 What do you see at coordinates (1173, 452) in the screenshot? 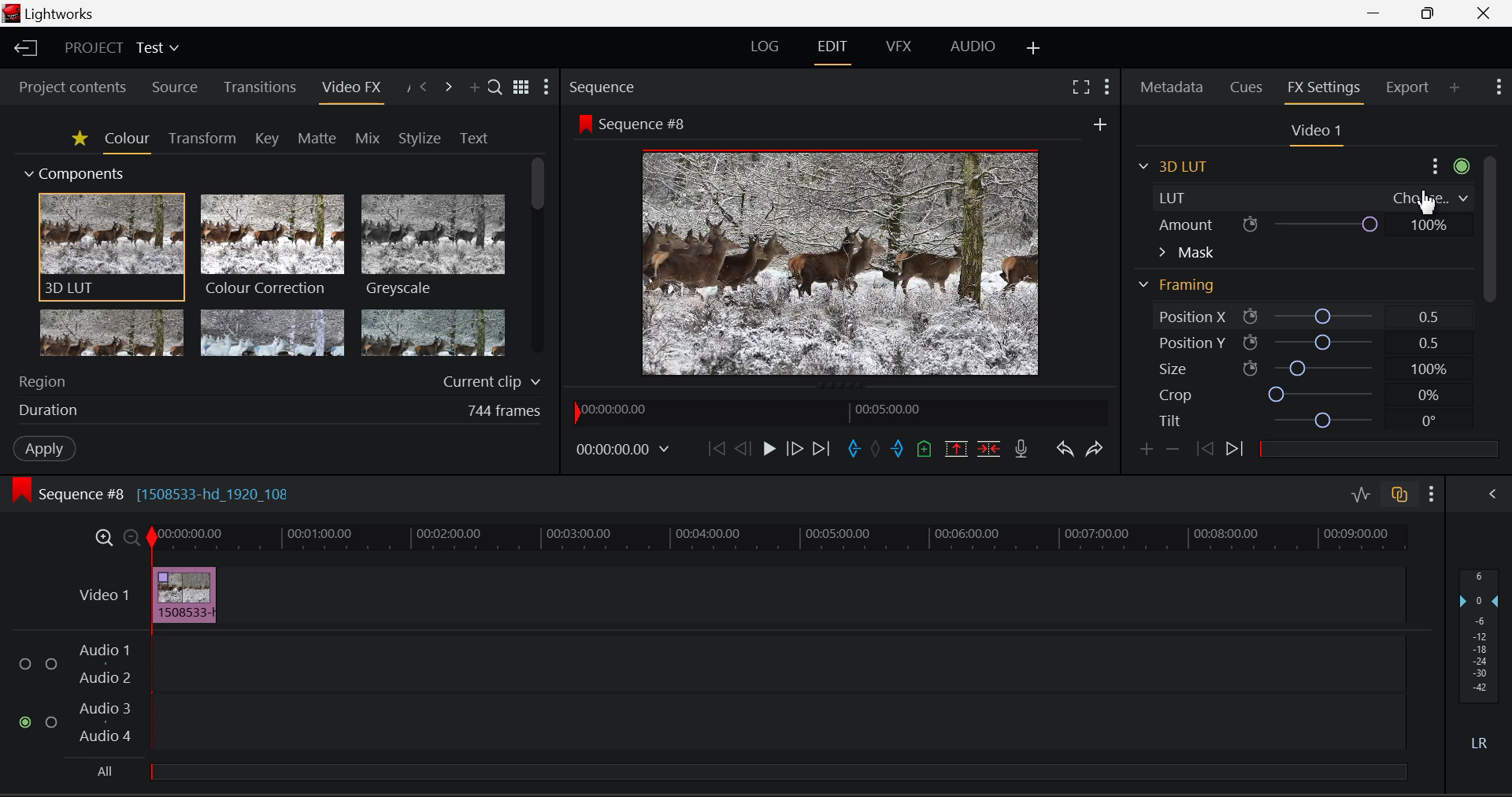
I see `Remove keyframe` at bounding box center [1173, 452].